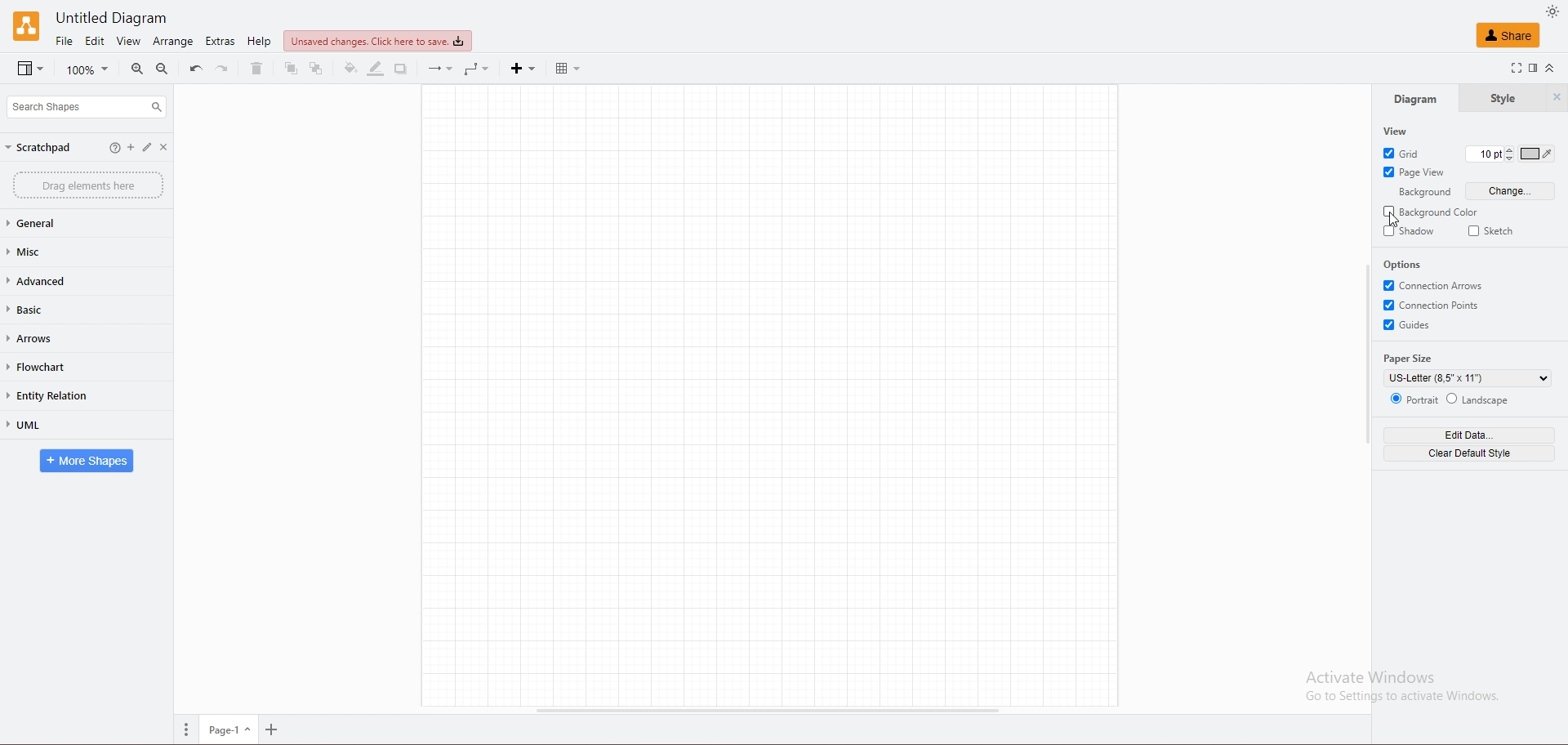 Image resolution: width=1568 pixels, height=745 pixels. I want to click on edit, so click(96, 41).